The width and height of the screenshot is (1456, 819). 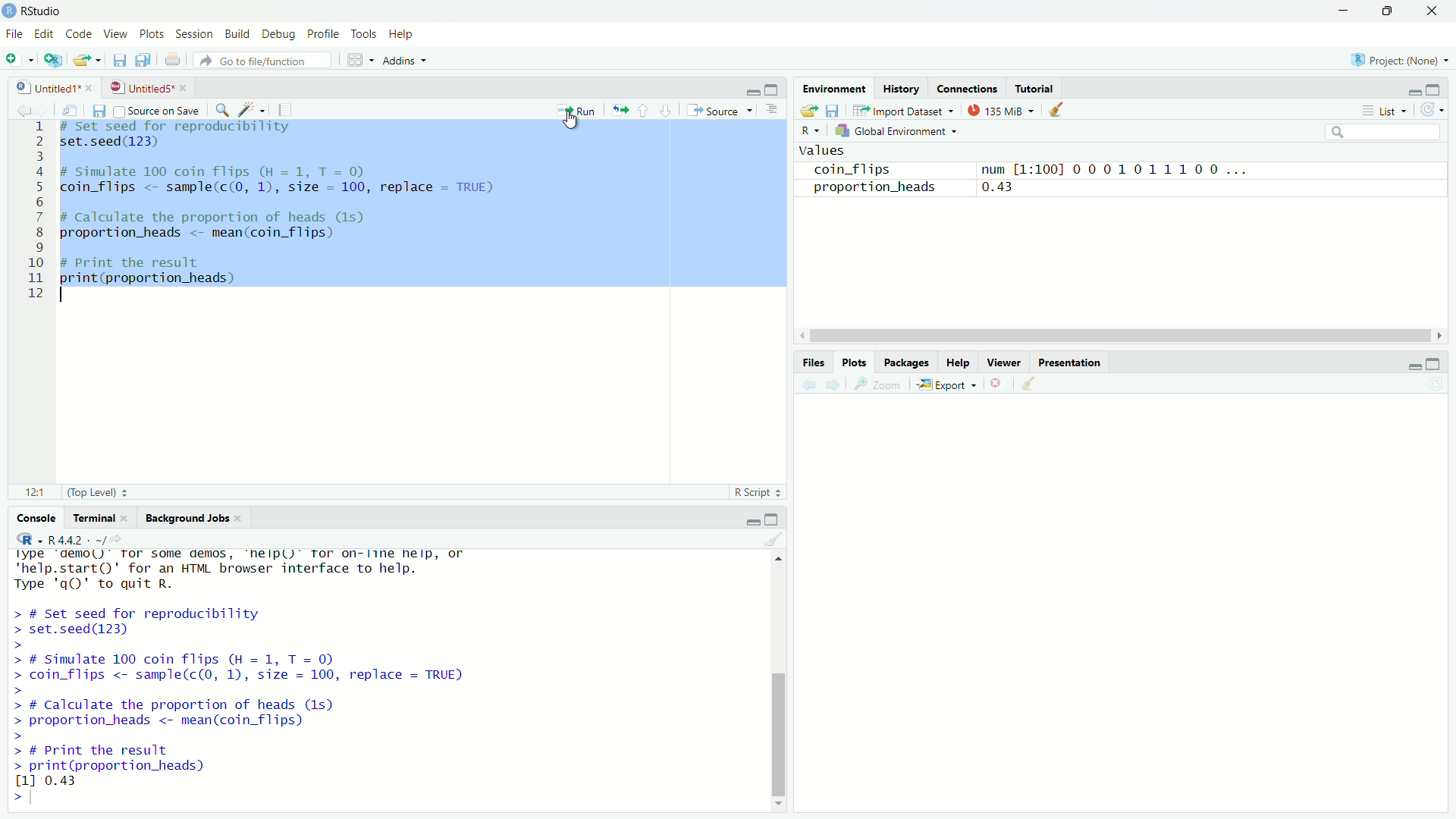 What do you see at coordinates (185, 88) in the screenshot?
I see `close` at bounding box center [185, 88].